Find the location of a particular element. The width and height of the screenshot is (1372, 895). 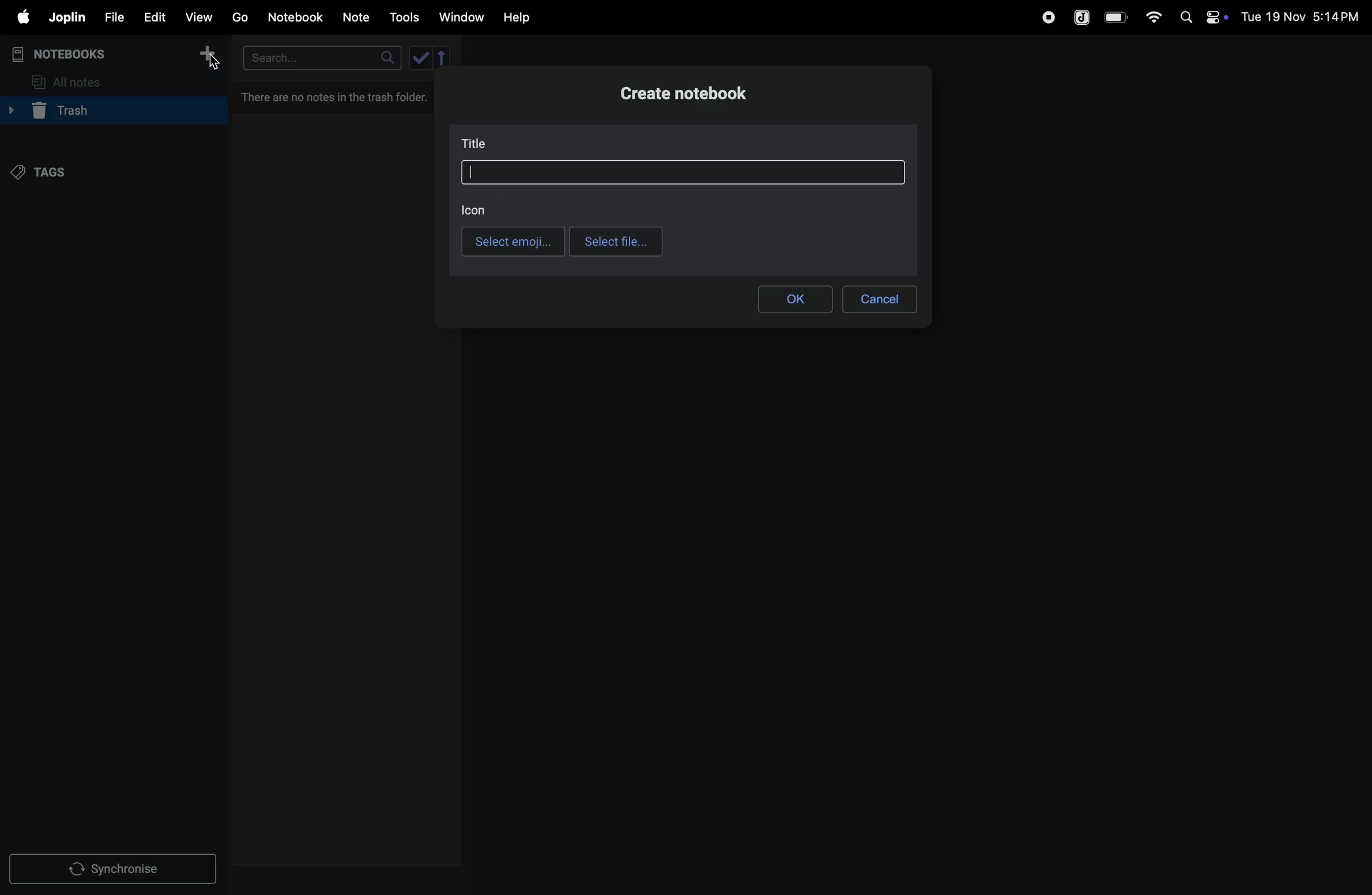

note is located at coordinates (358, 18).